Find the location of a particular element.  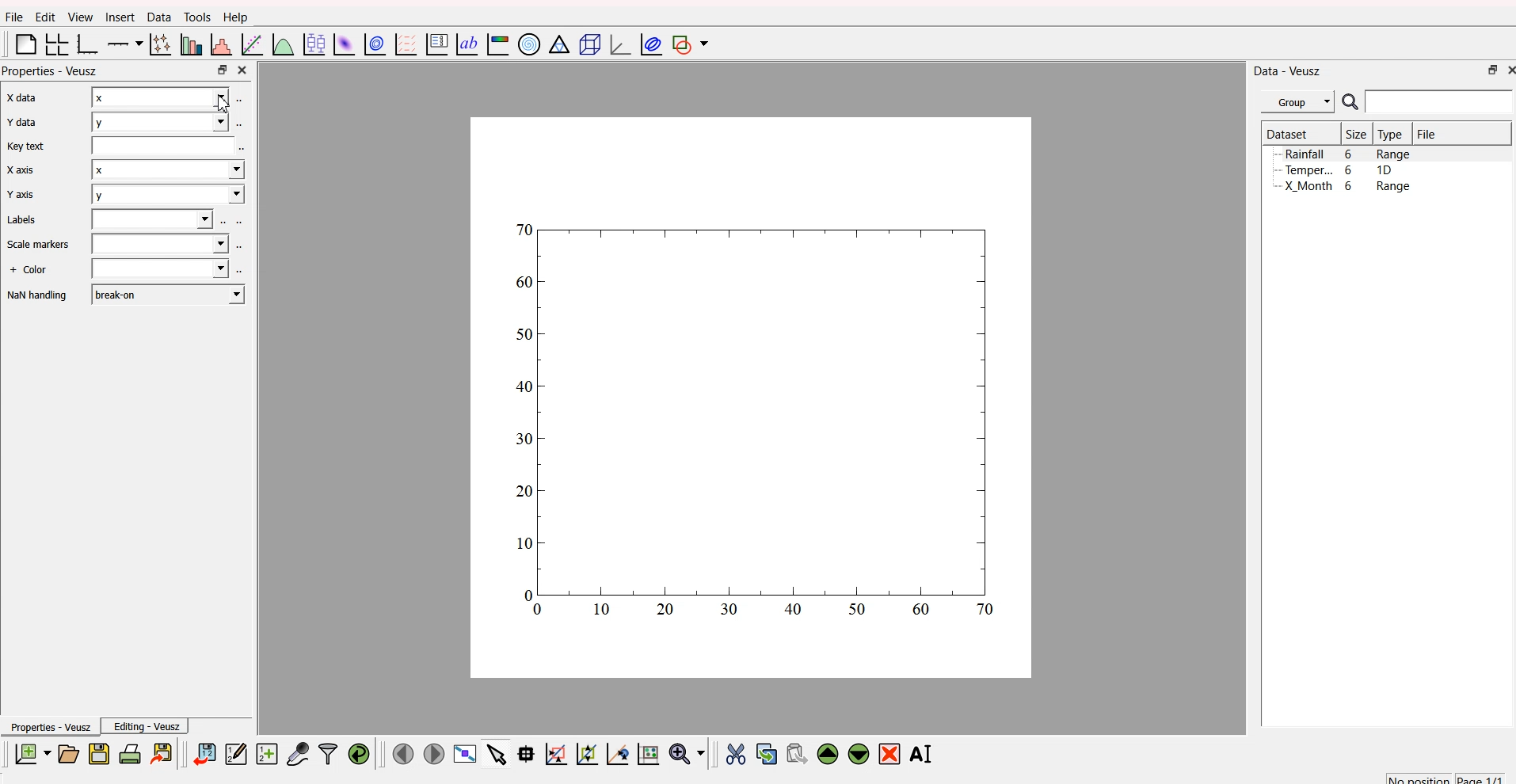

editor is located at coordinates (236, 752).